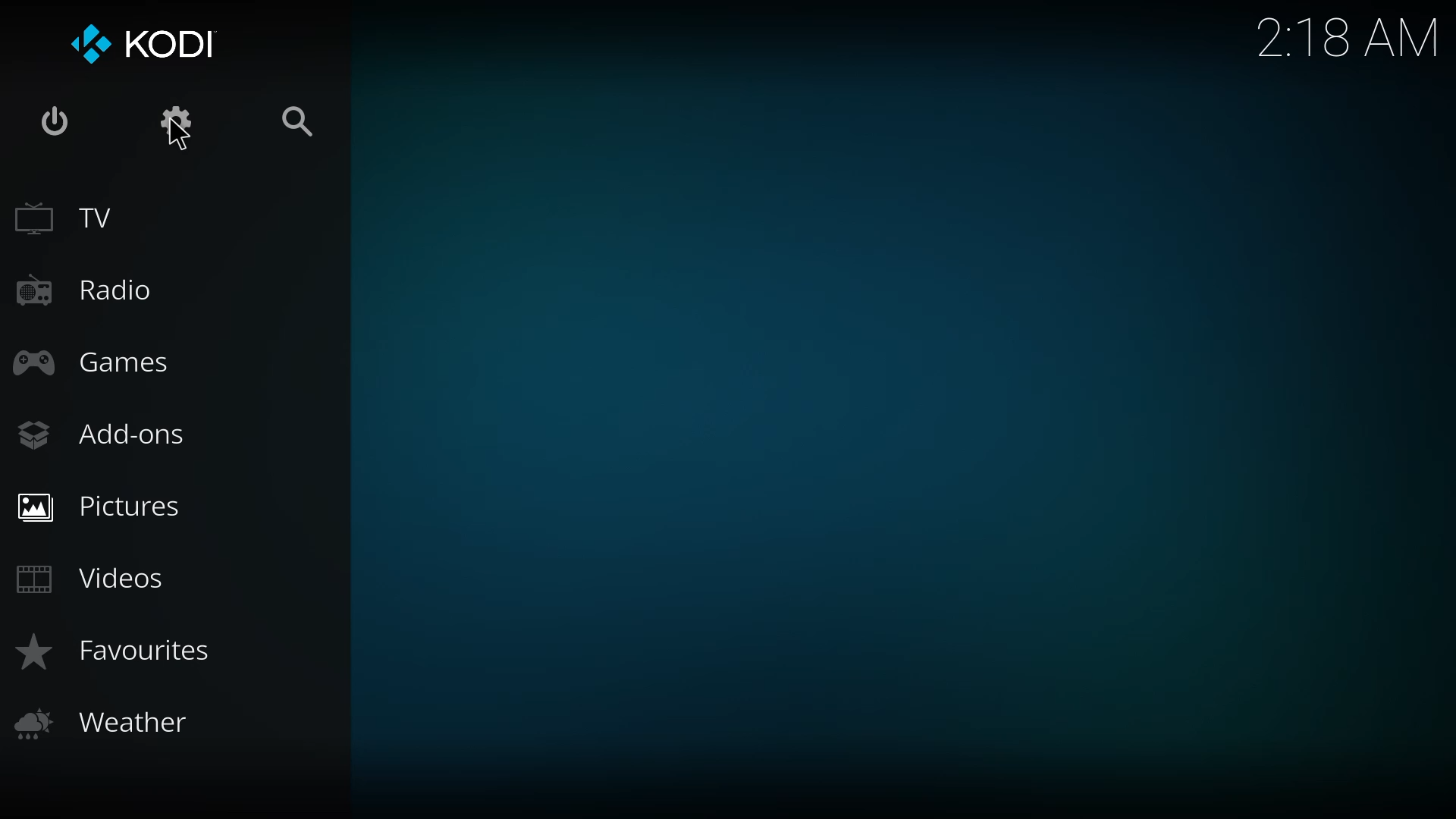  Describe the element at coordinates (148, 45) in the screenshot. I see `kodi` at that location.